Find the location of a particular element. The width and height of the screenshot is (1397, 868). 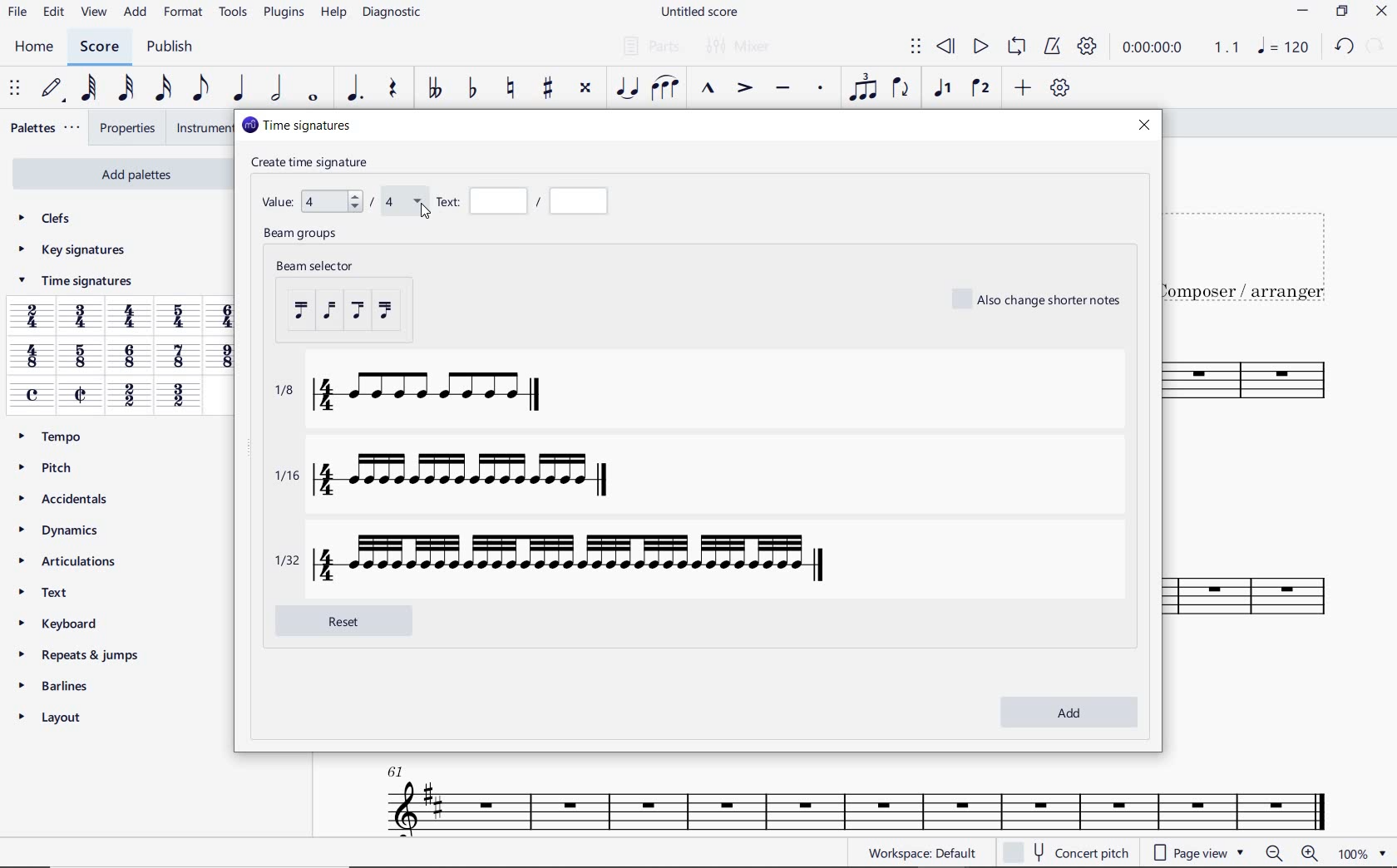

DEFAULT (STEP TIME) is located at coordinates (52, 89).